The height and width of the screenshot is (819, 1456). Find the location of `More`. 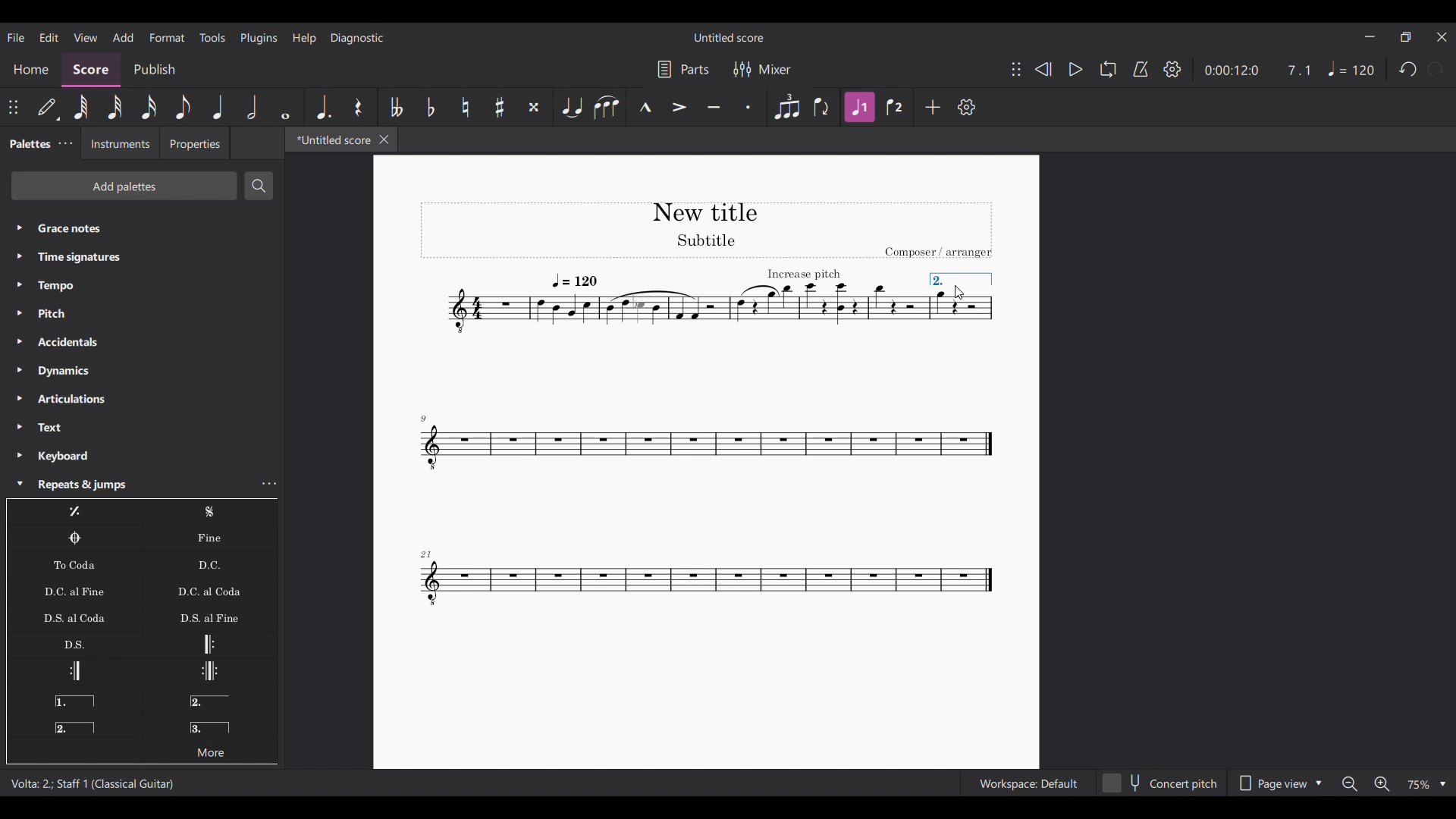

More is located at coordinates (209, 750).